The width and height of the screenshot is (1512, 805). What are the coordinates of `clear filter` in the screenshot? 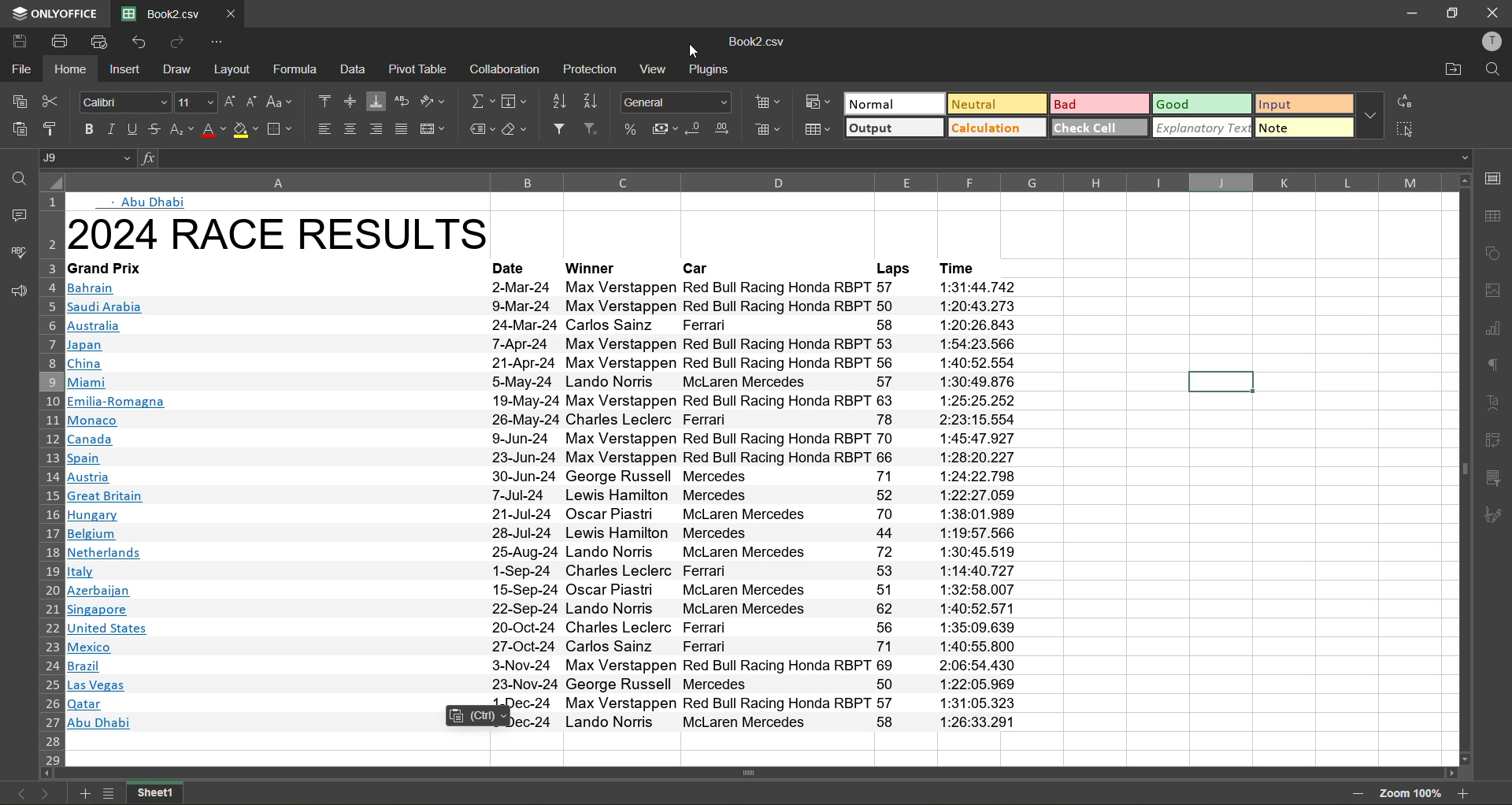 It's located at (592, 128).